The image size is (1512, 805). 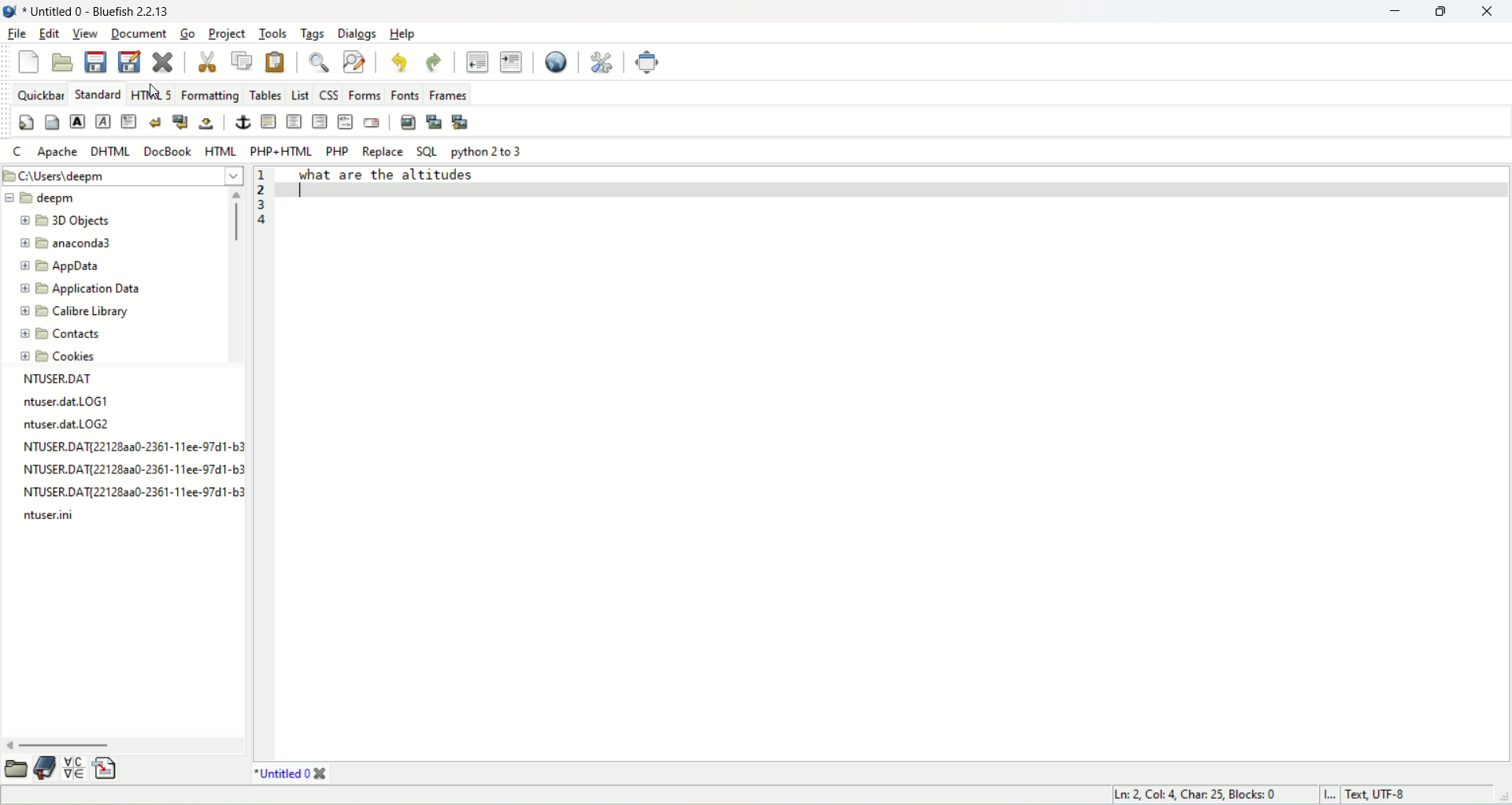 What do you see at coordinates (66, 269) in the screenshot?
I see `appdata` at bounding box center [66, 269].